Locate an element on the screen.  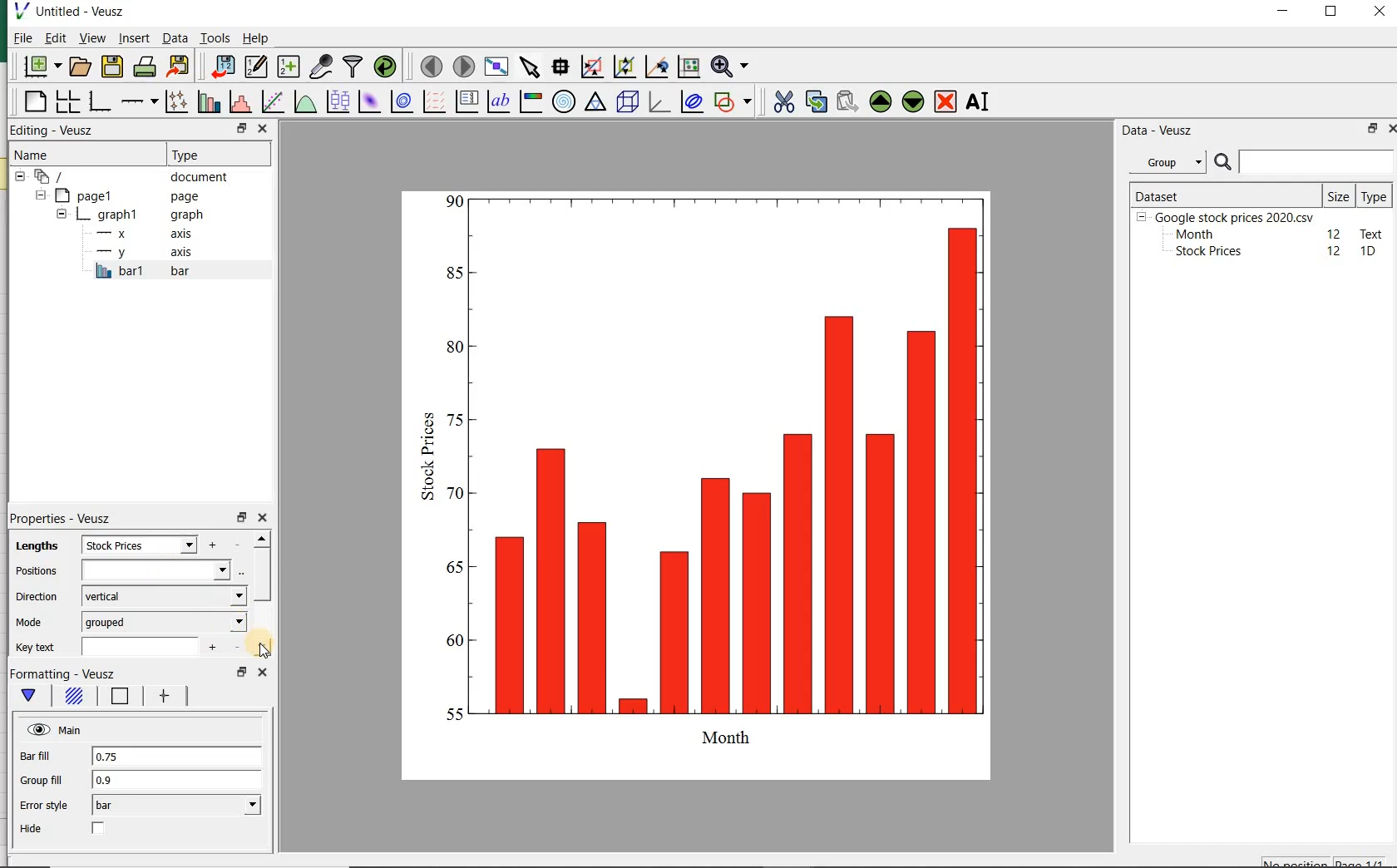
Stock prices is located at coordinates (1201, 252).